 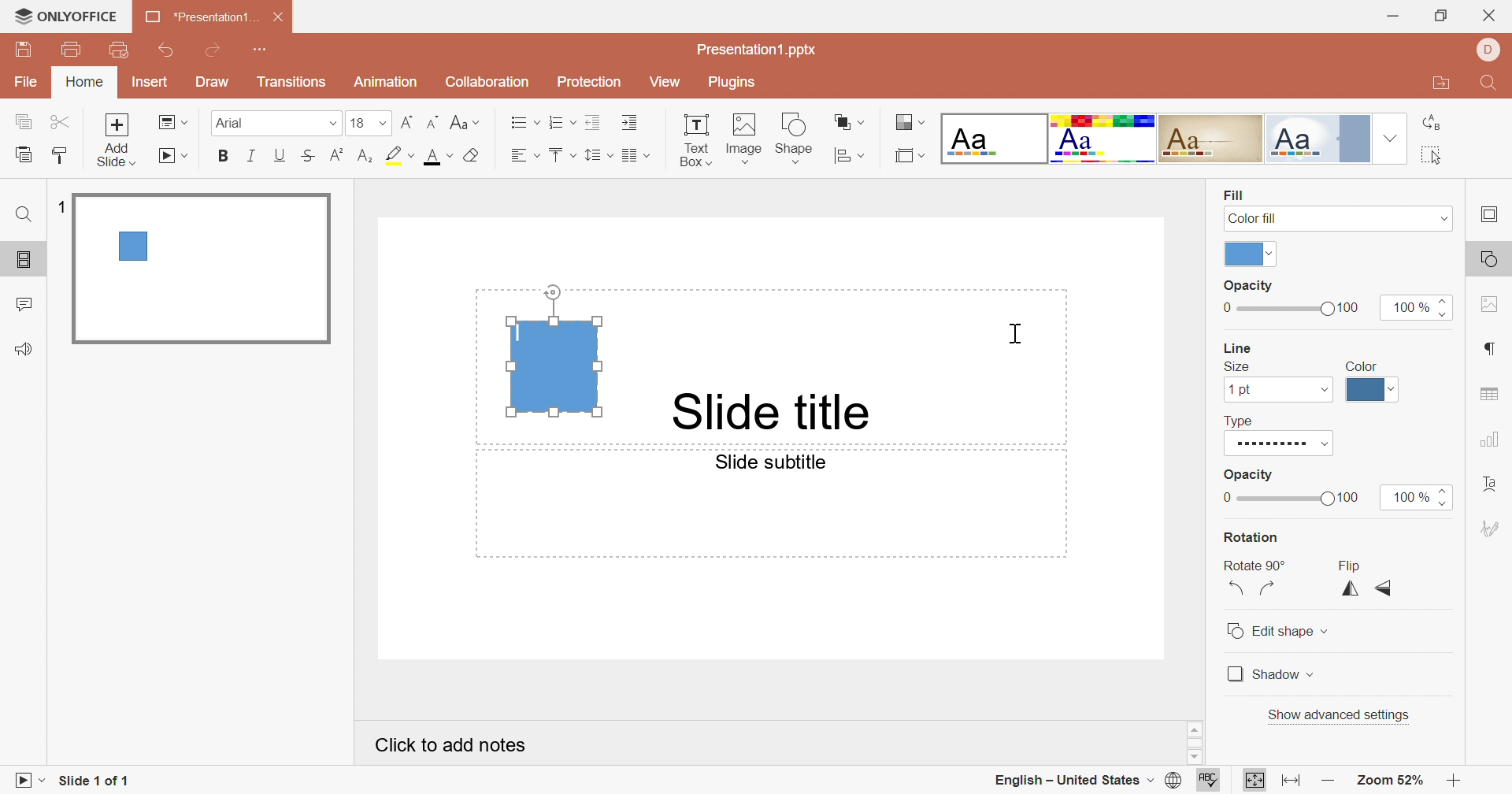 What do you see at coordinates (434, 158) in the screenshot?
I see `Font color` at bounding box center [434, 158].